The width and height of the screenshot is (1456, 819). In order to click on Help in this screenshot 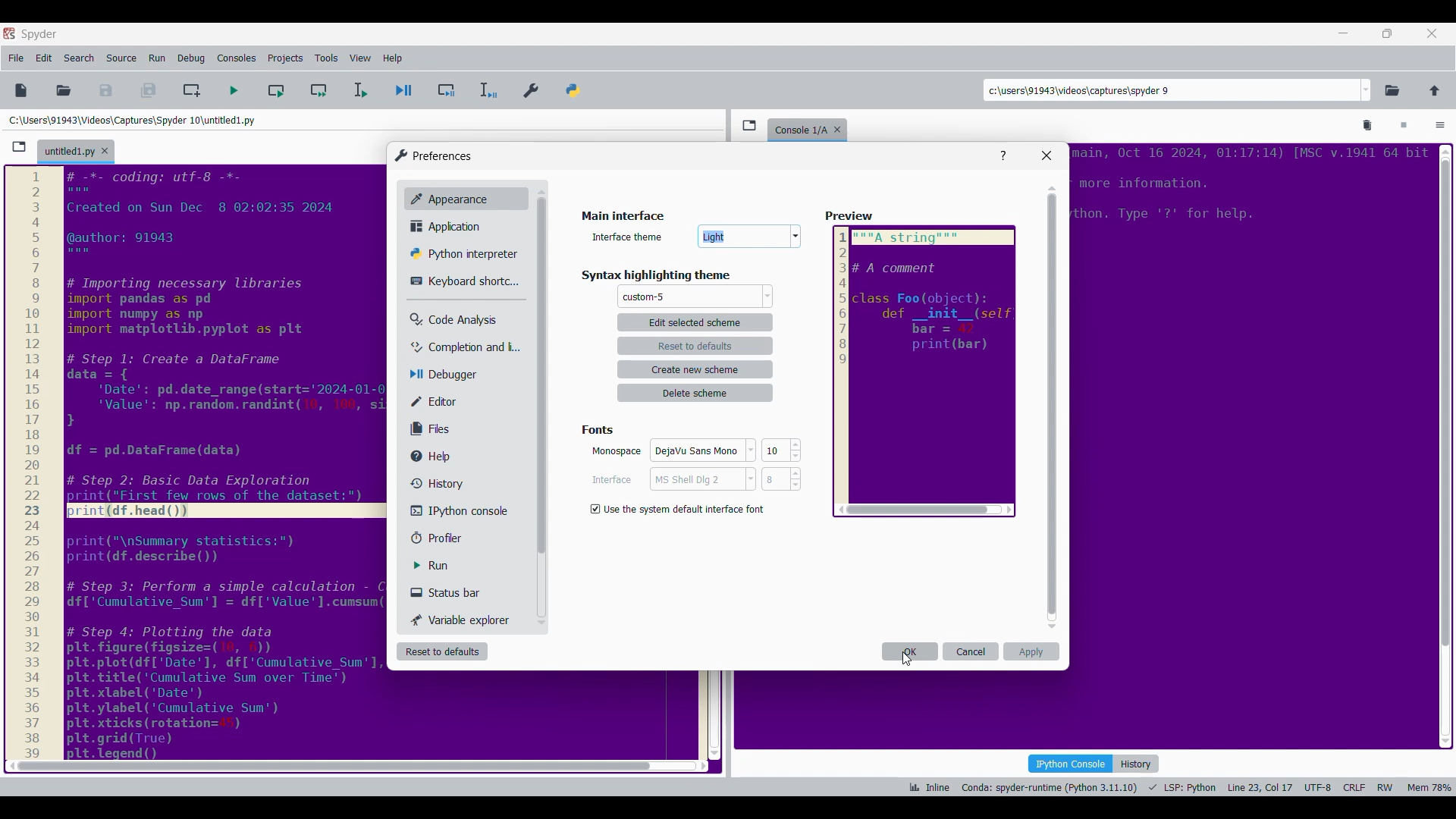, I will do `click(438, 457)`.